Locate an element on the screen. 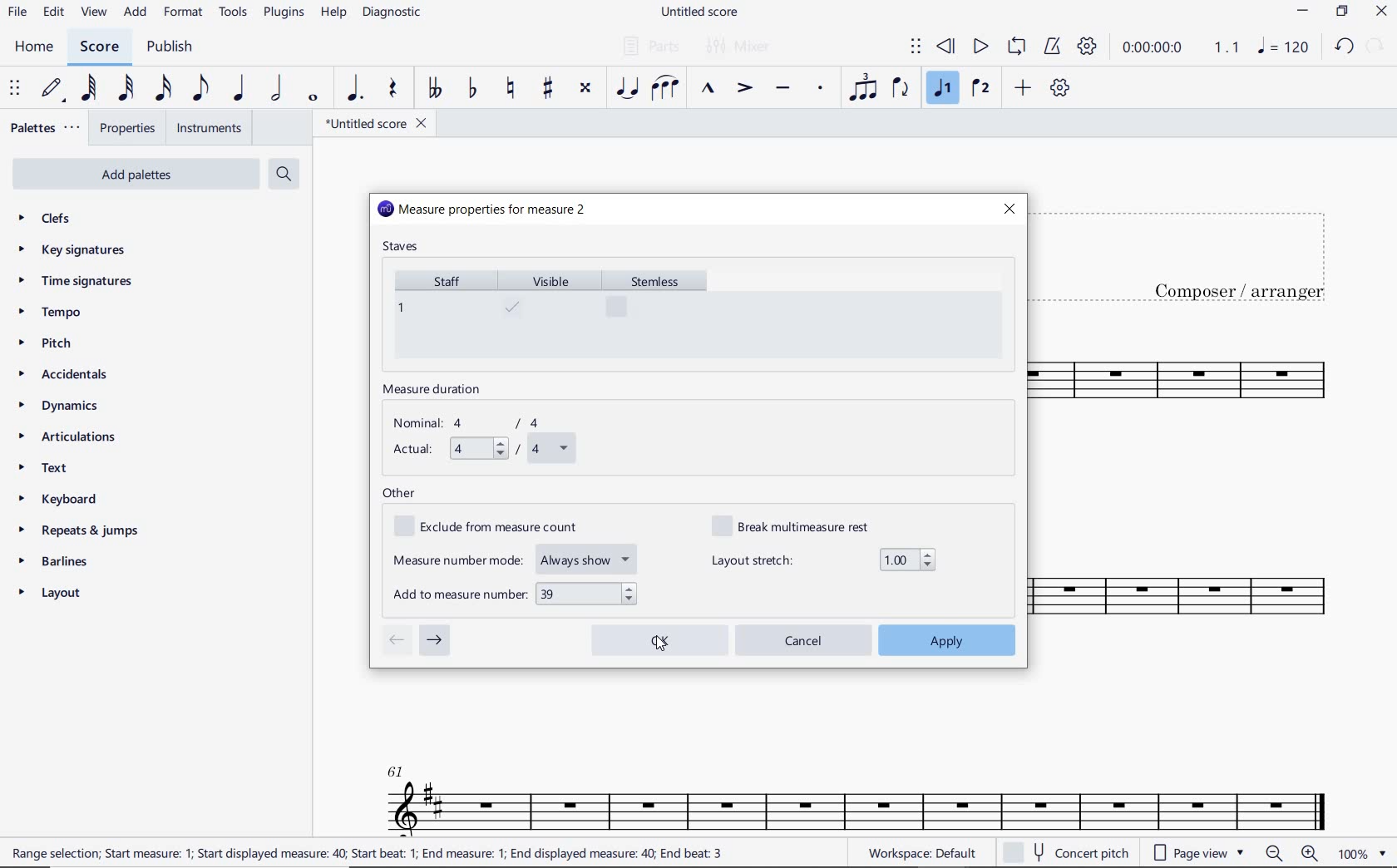 The height and width of the screenshot is (868, 1397). MARCATO is located at coordinates (706, 90).